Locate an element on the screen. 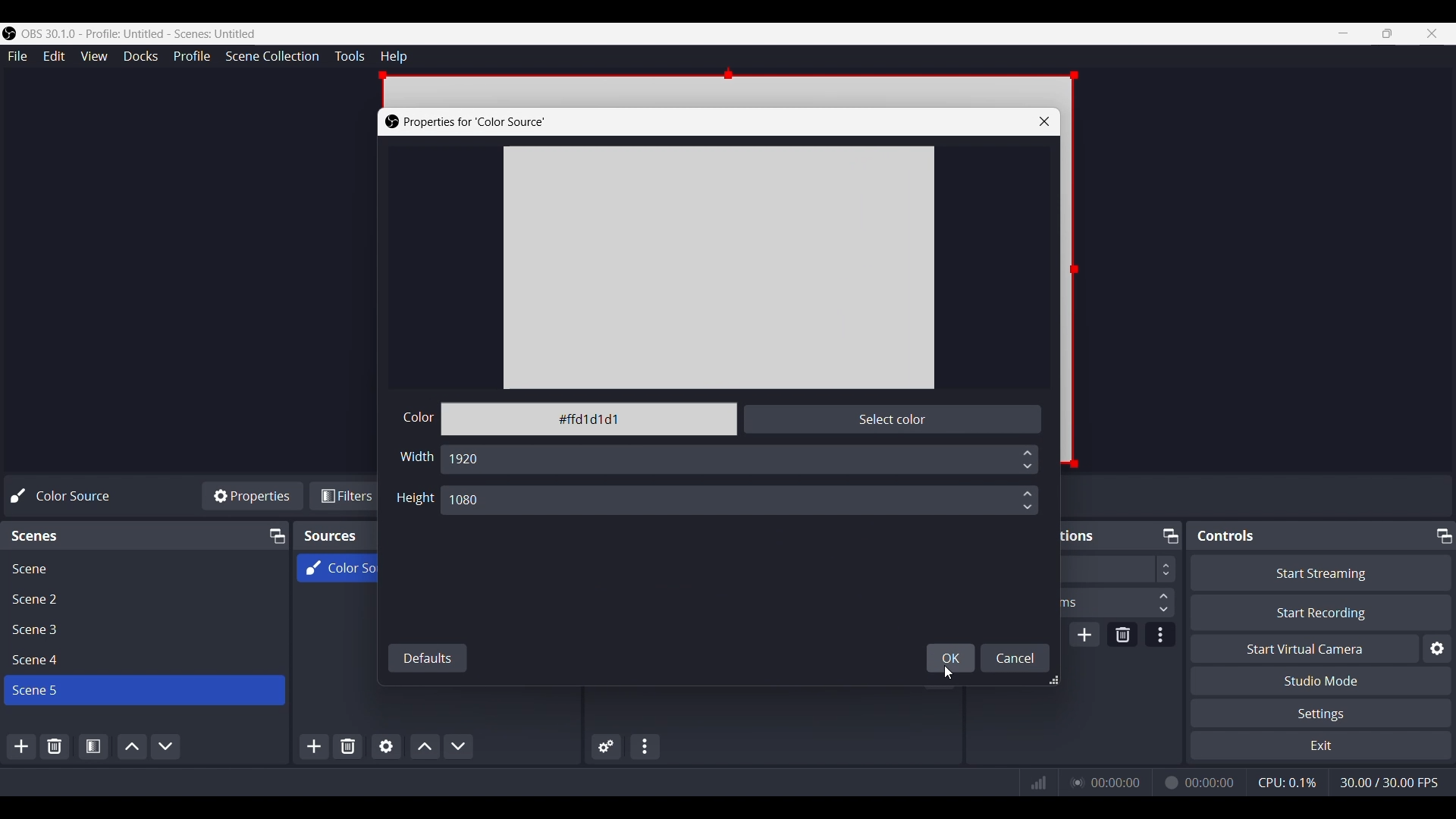 This screenshot has width=1456, height=819. View is located at coordinates (93, 56).